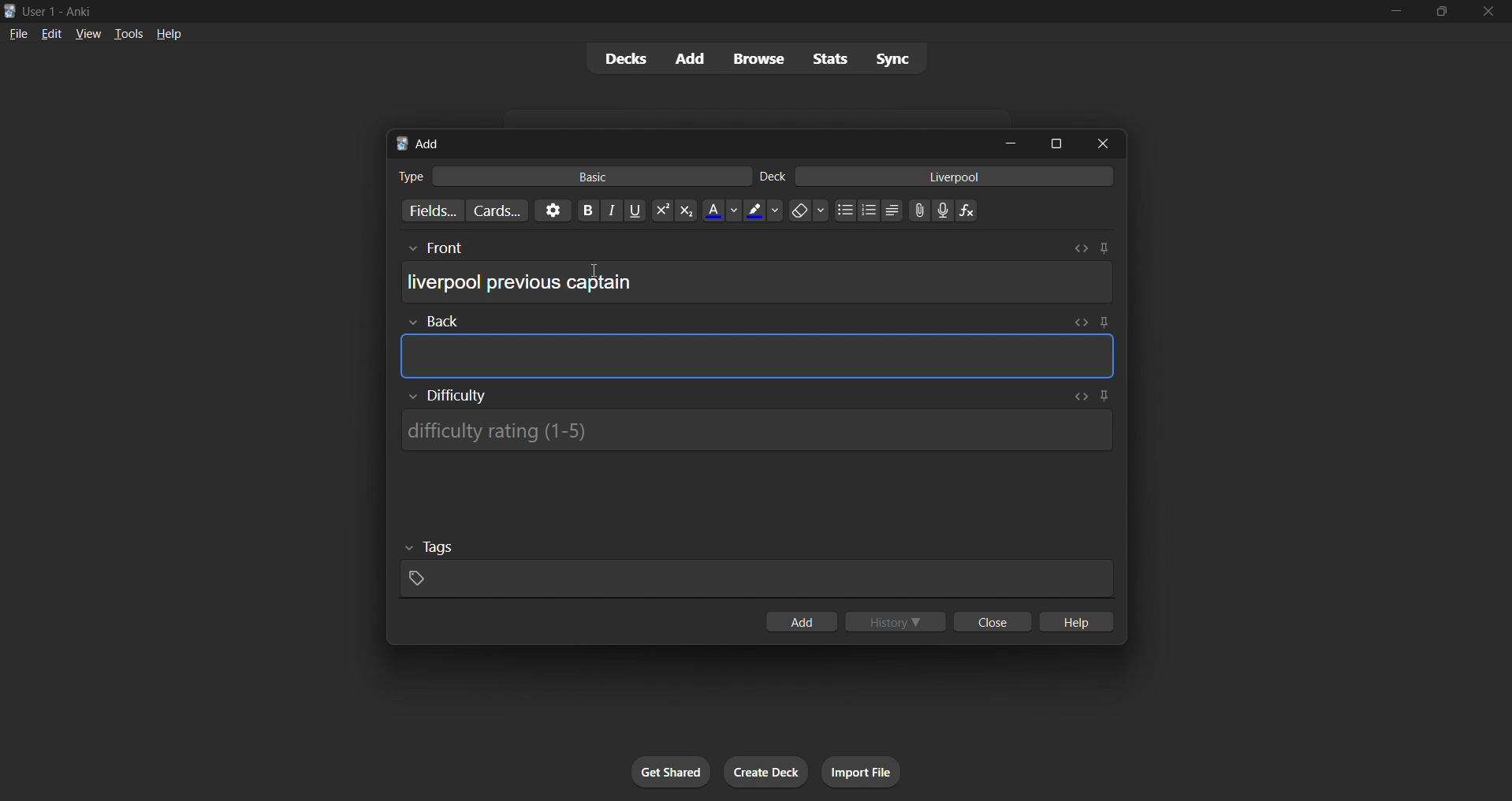  I want to click on tools, so click(128, 33).